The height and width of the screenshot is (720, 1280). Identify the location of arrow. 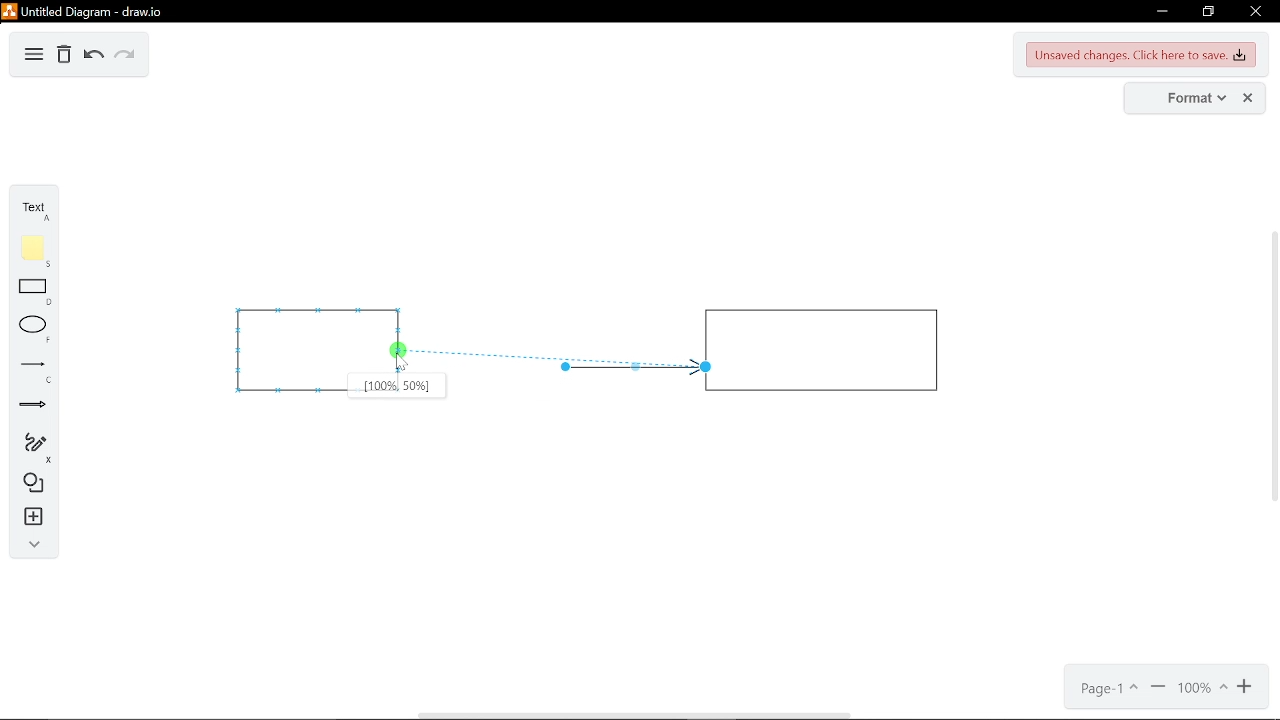
(630, 367).